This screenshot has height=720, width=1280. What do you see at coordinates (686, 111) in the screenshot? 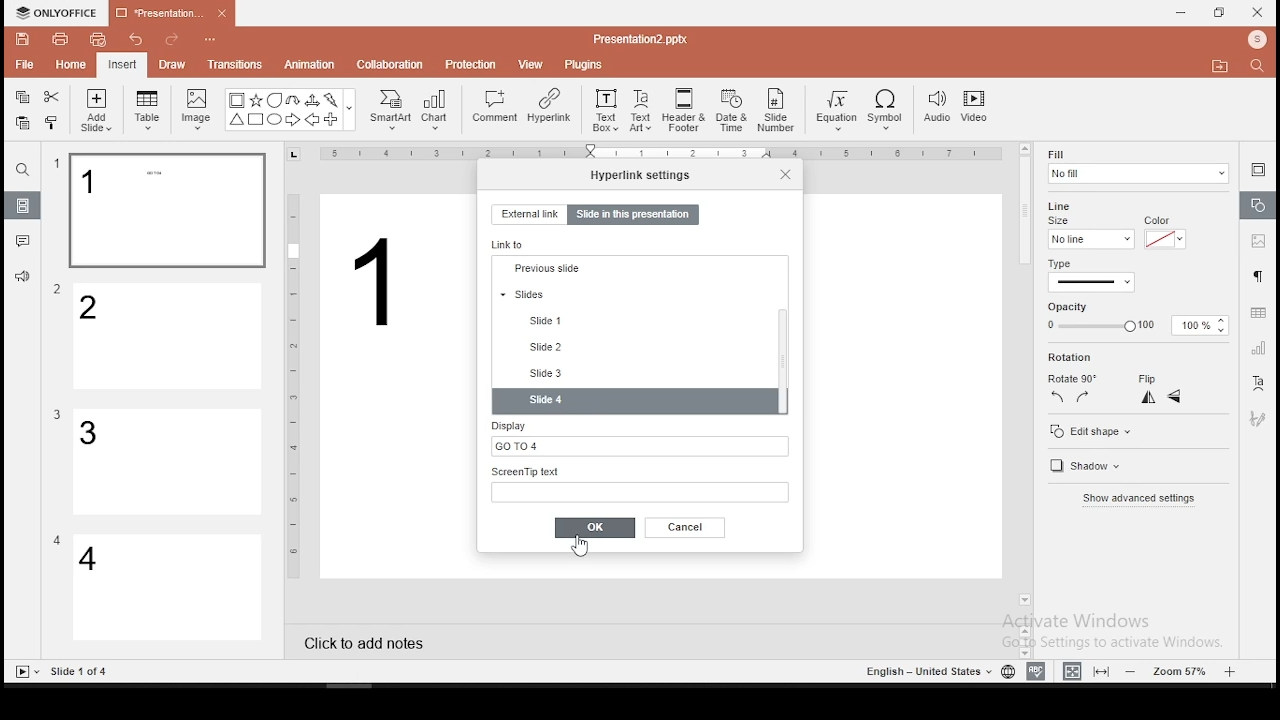
I see `header and footer` at bounding box center [686, 111].